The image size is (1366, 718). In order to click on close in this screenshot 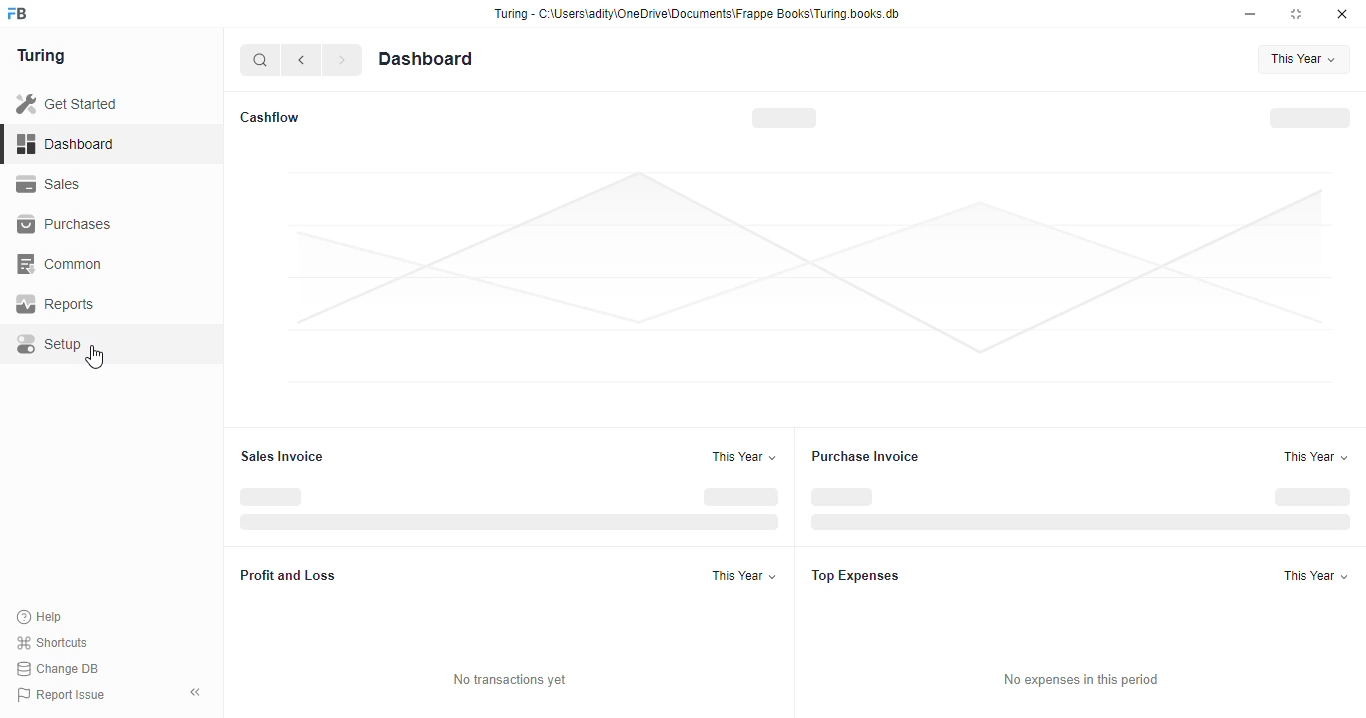, I will do `click(1345, 15)`.